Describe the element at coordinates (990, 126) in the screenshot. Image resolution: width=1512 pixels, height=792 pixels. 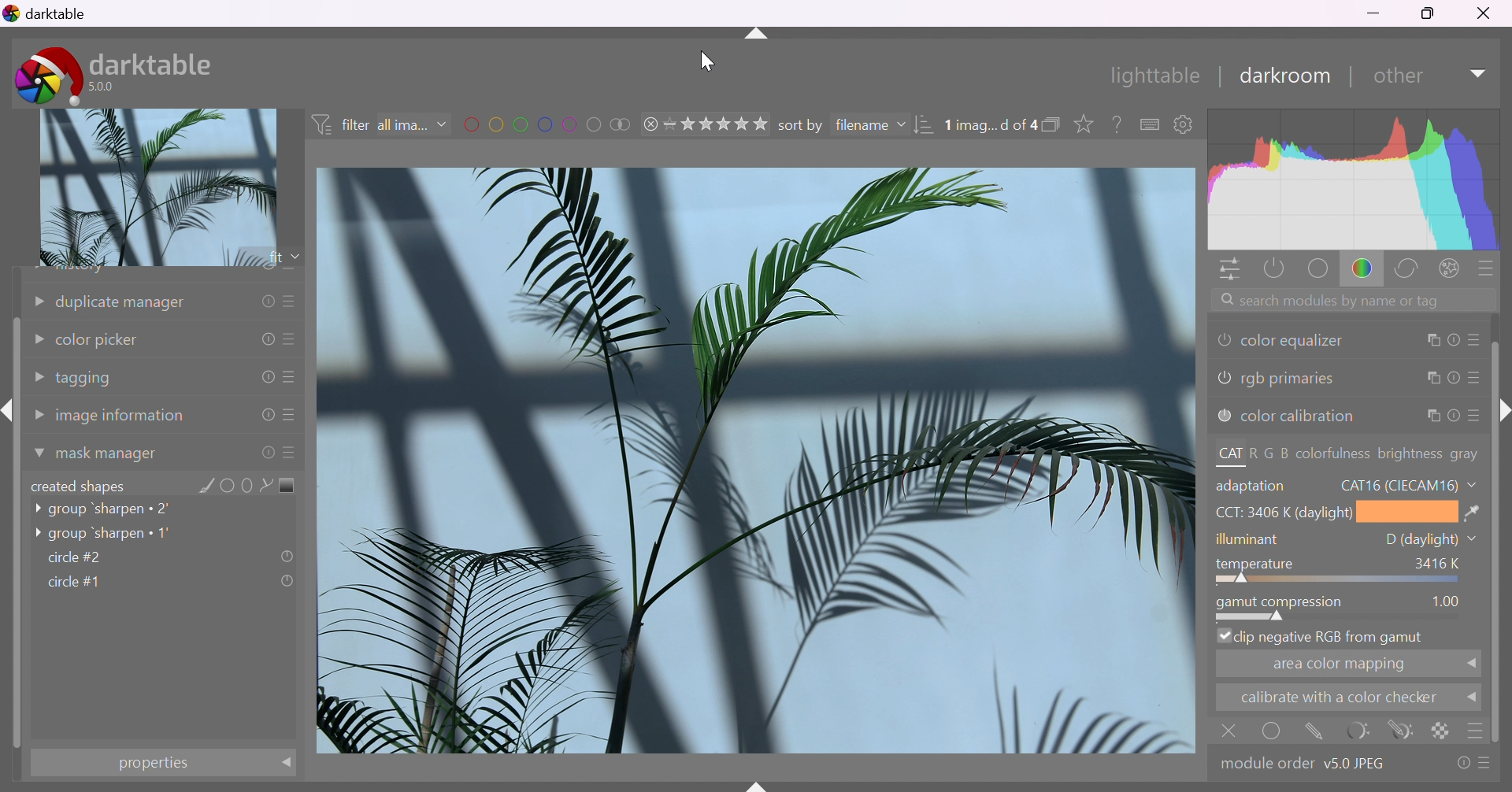
I see `1 image selected of 4` at that location.